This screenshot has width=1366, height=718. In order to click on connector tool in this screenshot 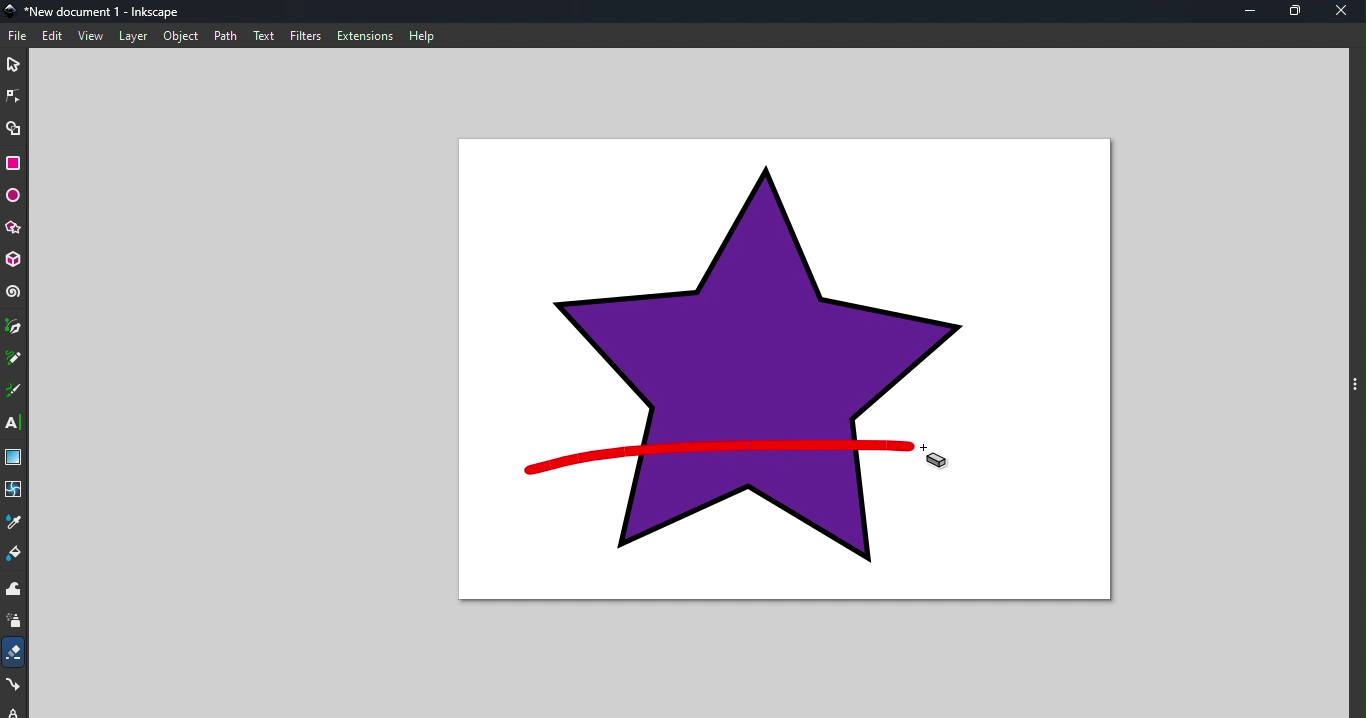, I will do `click(15, 686)`.